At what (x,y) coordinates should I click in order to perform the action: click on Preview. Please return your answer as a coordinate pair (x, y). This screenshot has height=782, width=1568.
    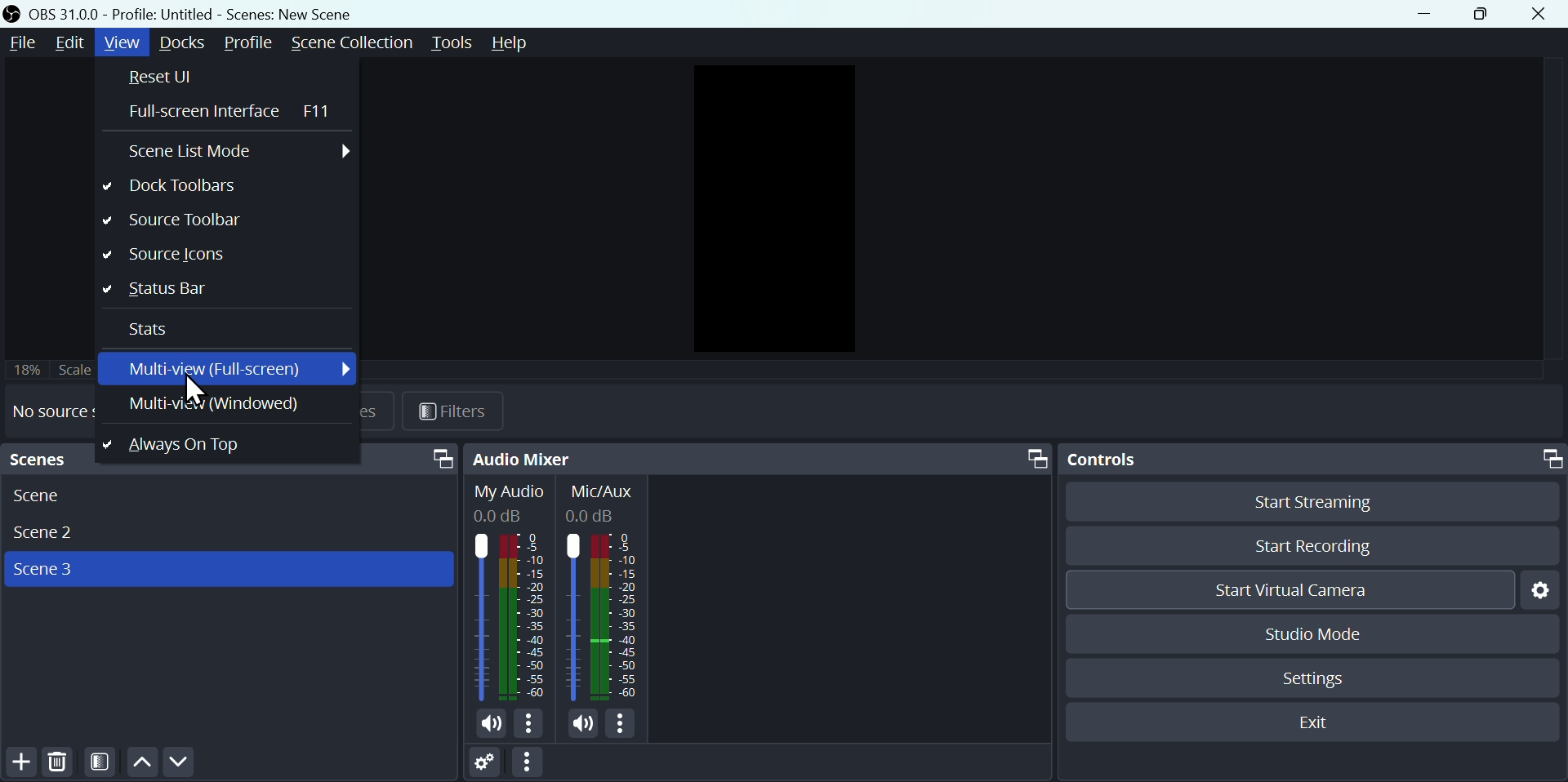
    Looking at the image, I should click on (772, 210).